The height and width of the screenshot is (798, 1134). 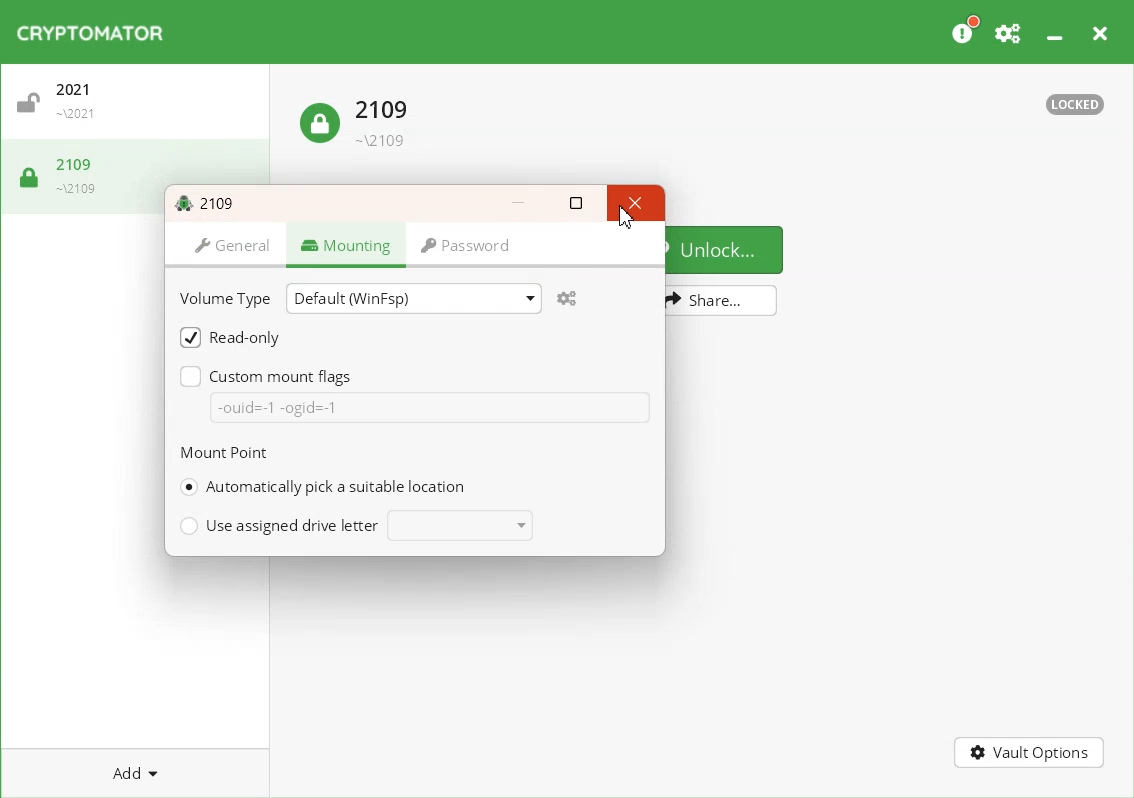 What do you see at coordinates (67, 174) in the screenshot?
I see `Lock Vault` at bounding box center [67, 174].